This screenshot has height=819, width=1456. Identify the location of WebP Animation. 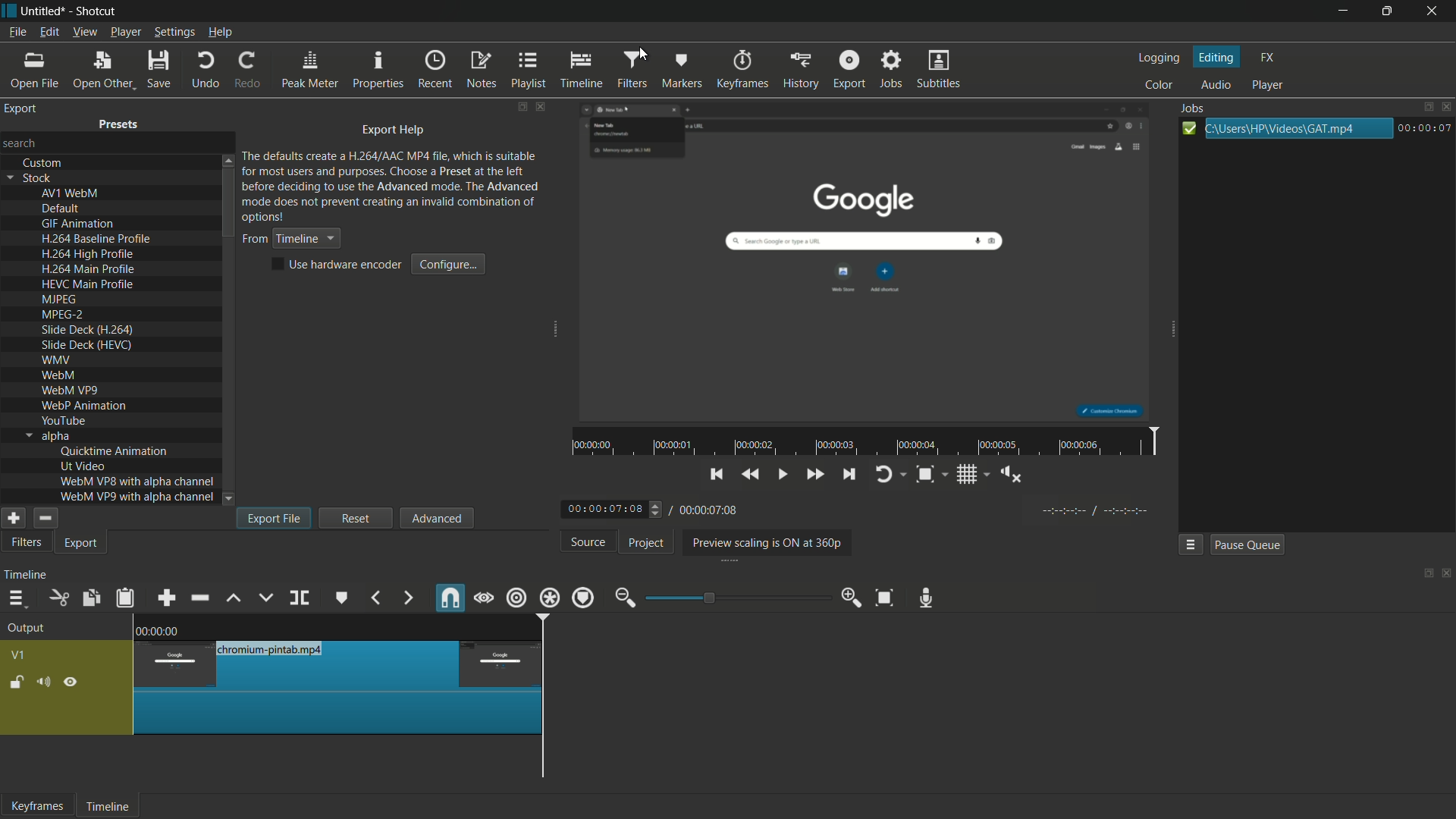
(85, 406).